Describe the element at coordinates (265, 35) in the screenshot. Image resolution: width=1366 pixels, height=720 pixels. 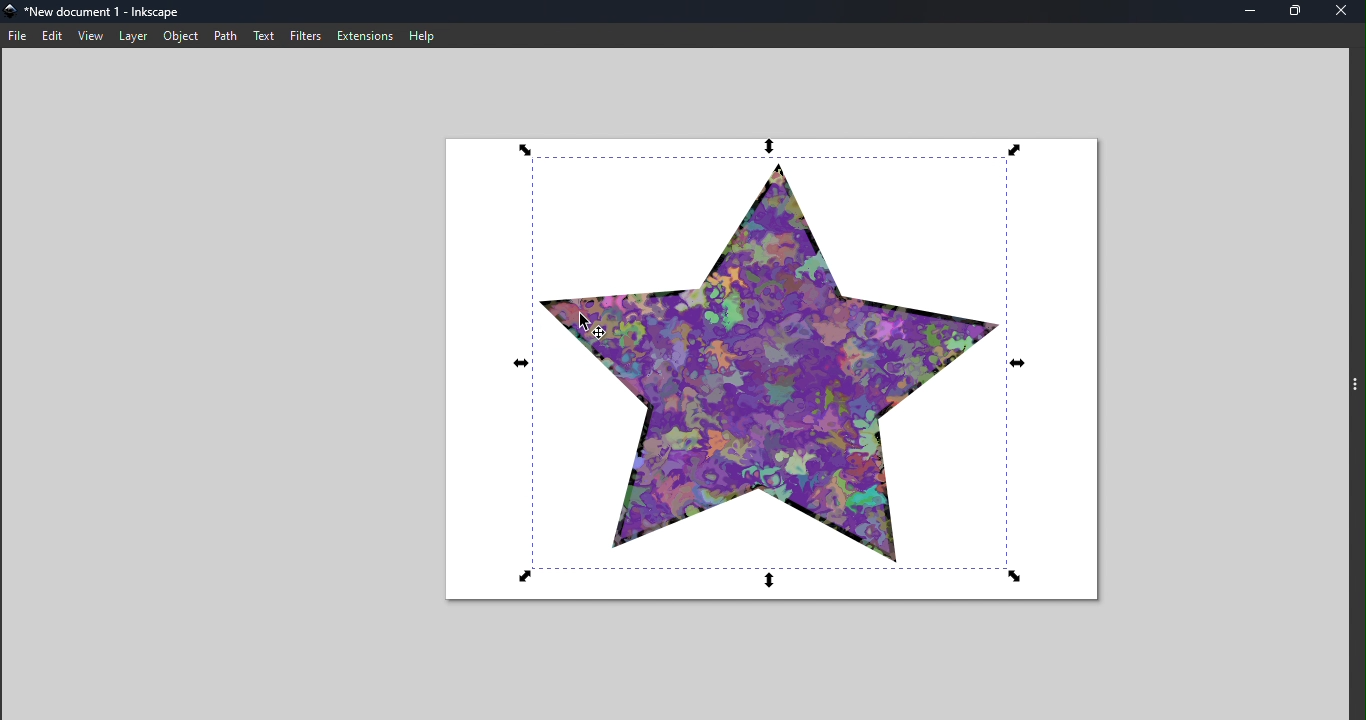
I see `Text` at that location.